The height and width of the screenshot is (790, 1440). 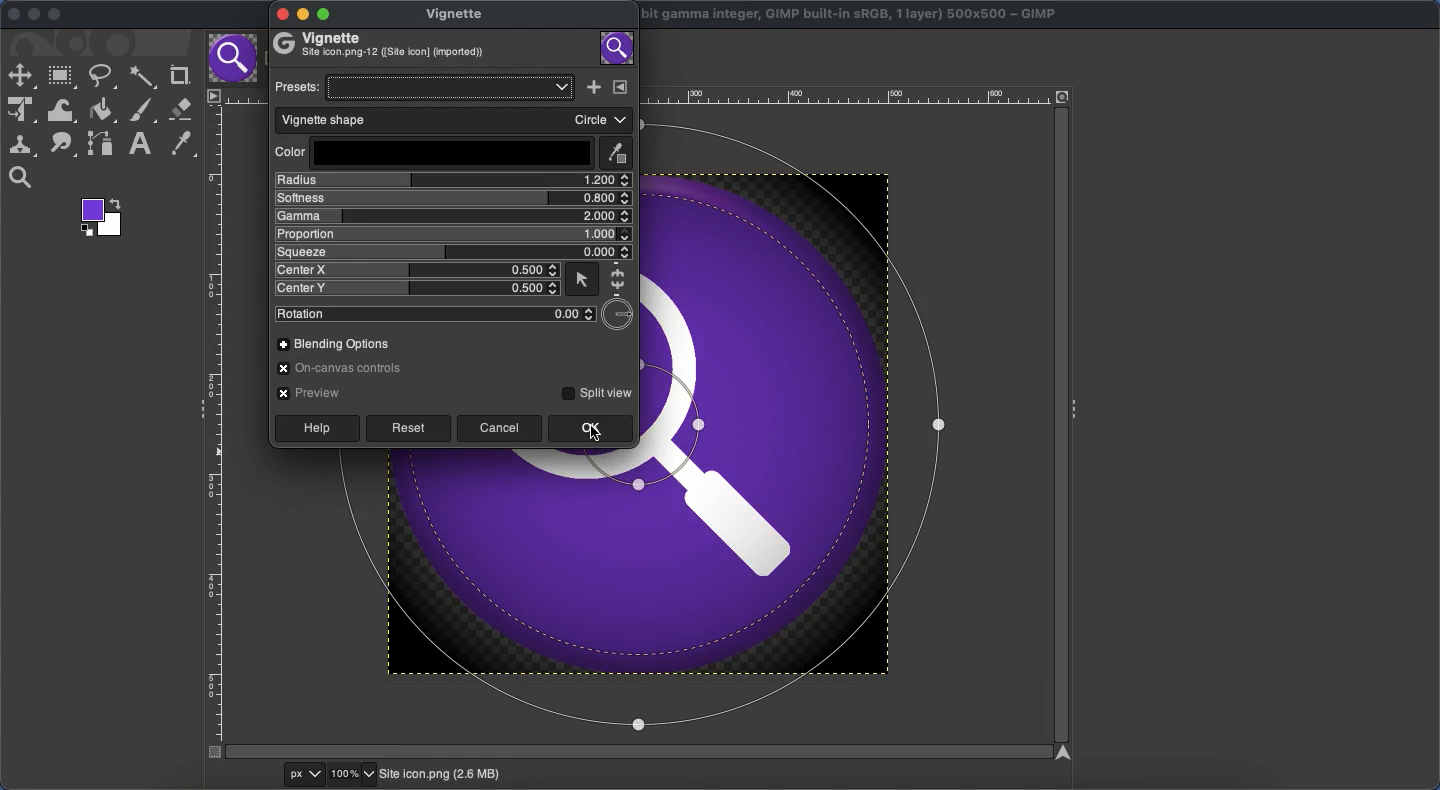 I want to click on Reset, so click(x=407, y=429).